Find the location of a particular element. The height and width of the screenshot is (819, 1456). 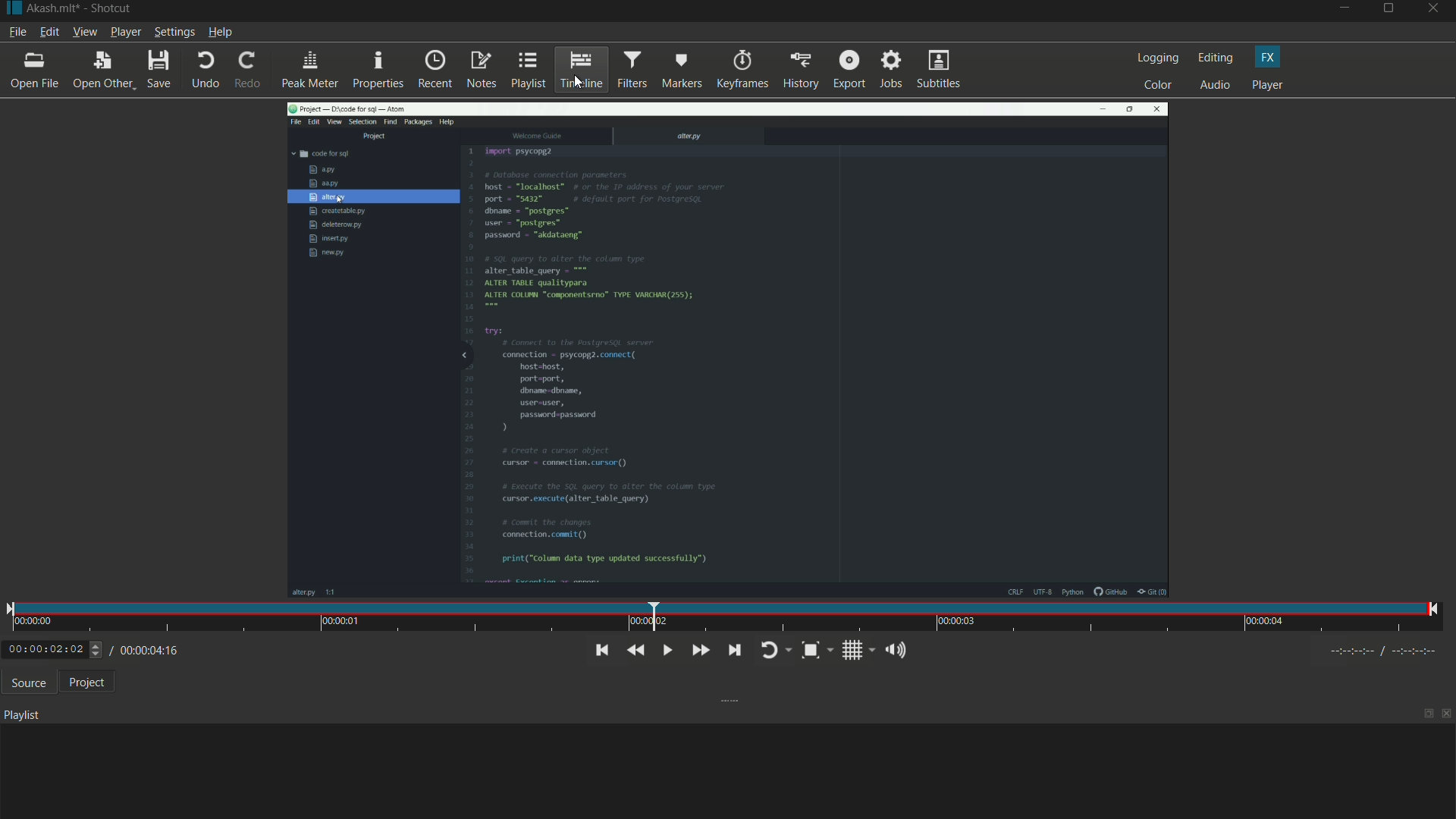

undo is located at coordinates (202, 71).